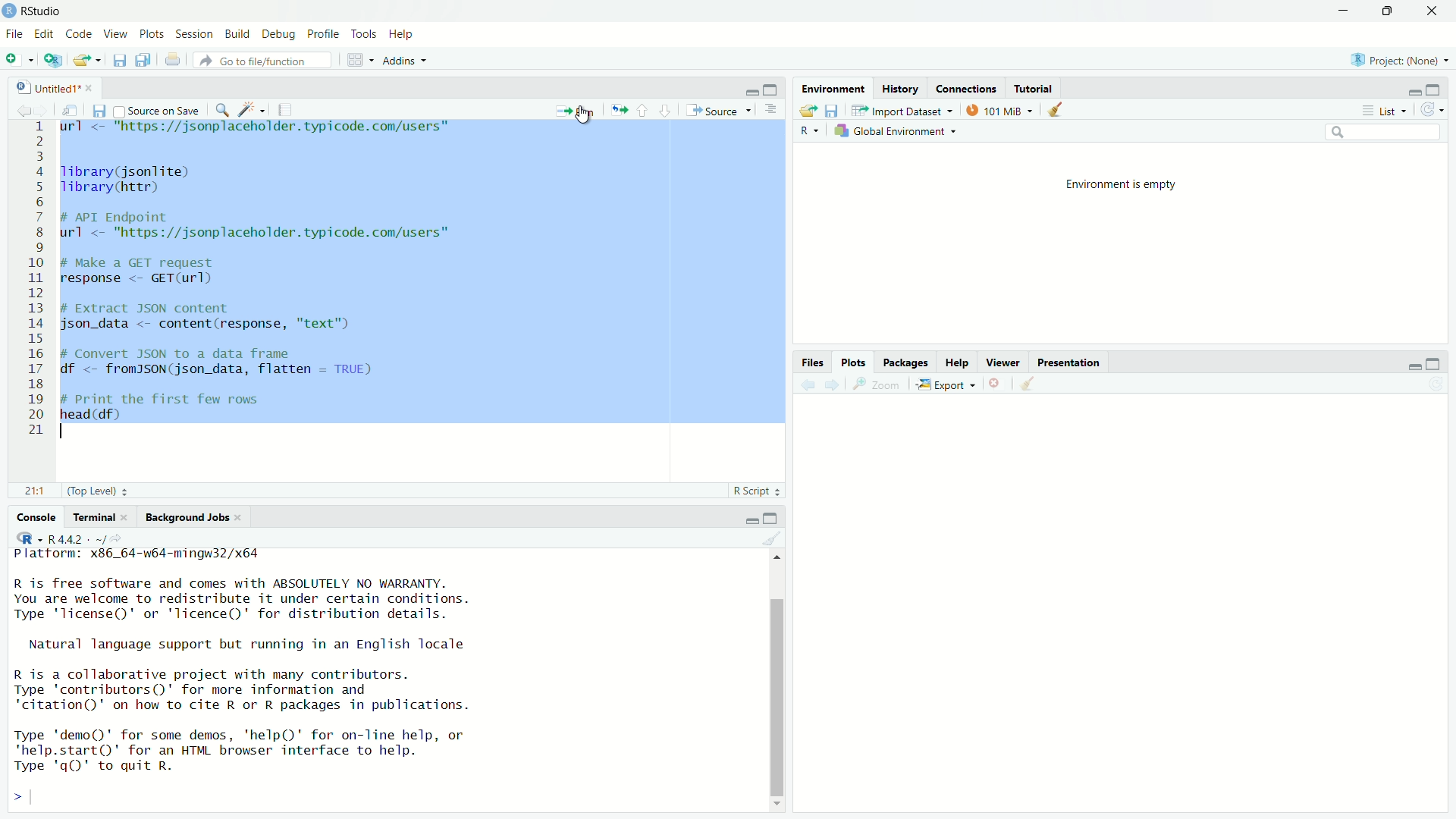 Image resolution: width=1456 pixels, height=819 pixels. I want to click on Minimize, so click(1347, 11).